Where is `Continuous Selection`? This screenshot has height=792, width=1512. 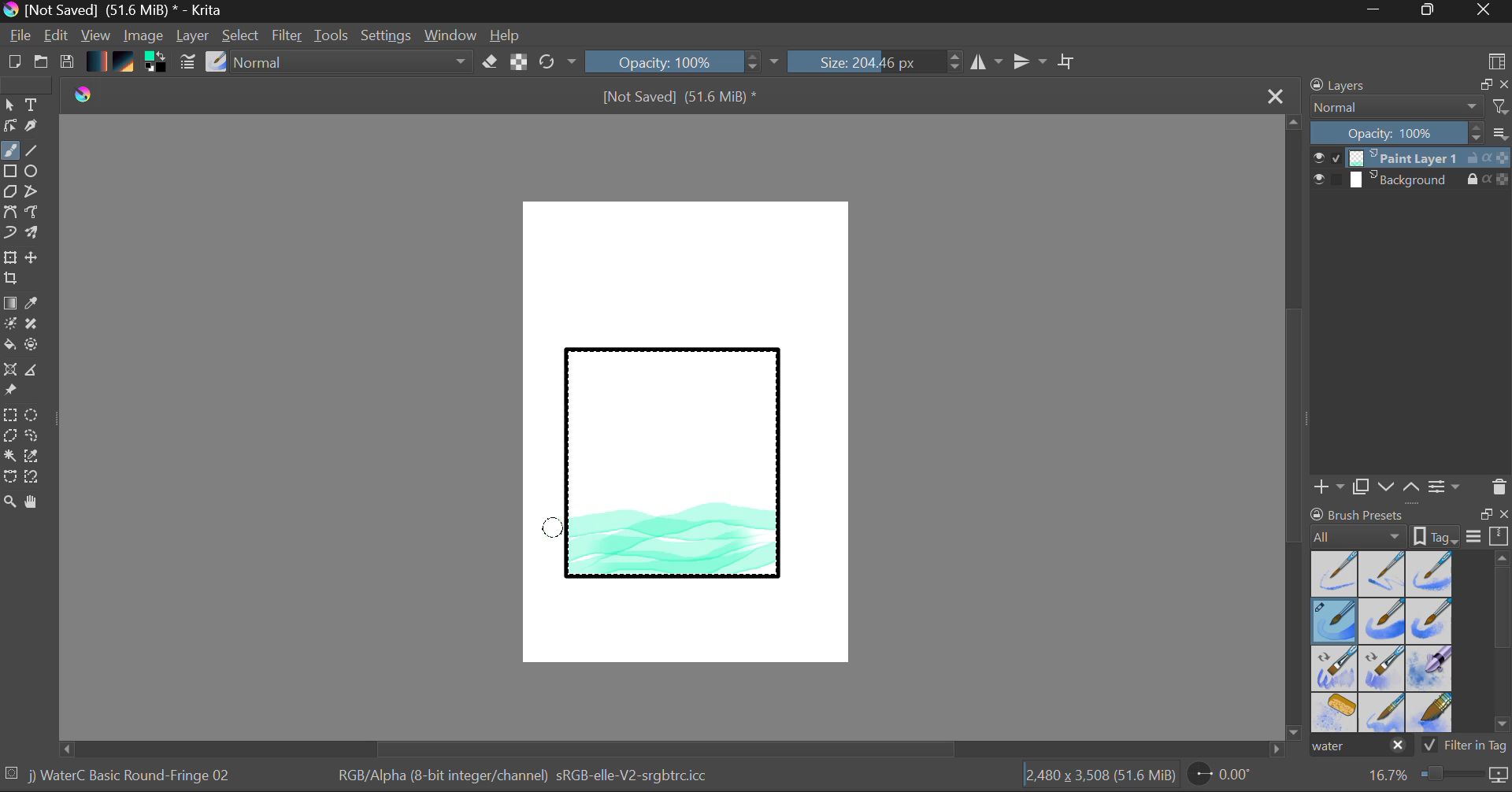 Continuous Selection is located at coordinates (9, 455).